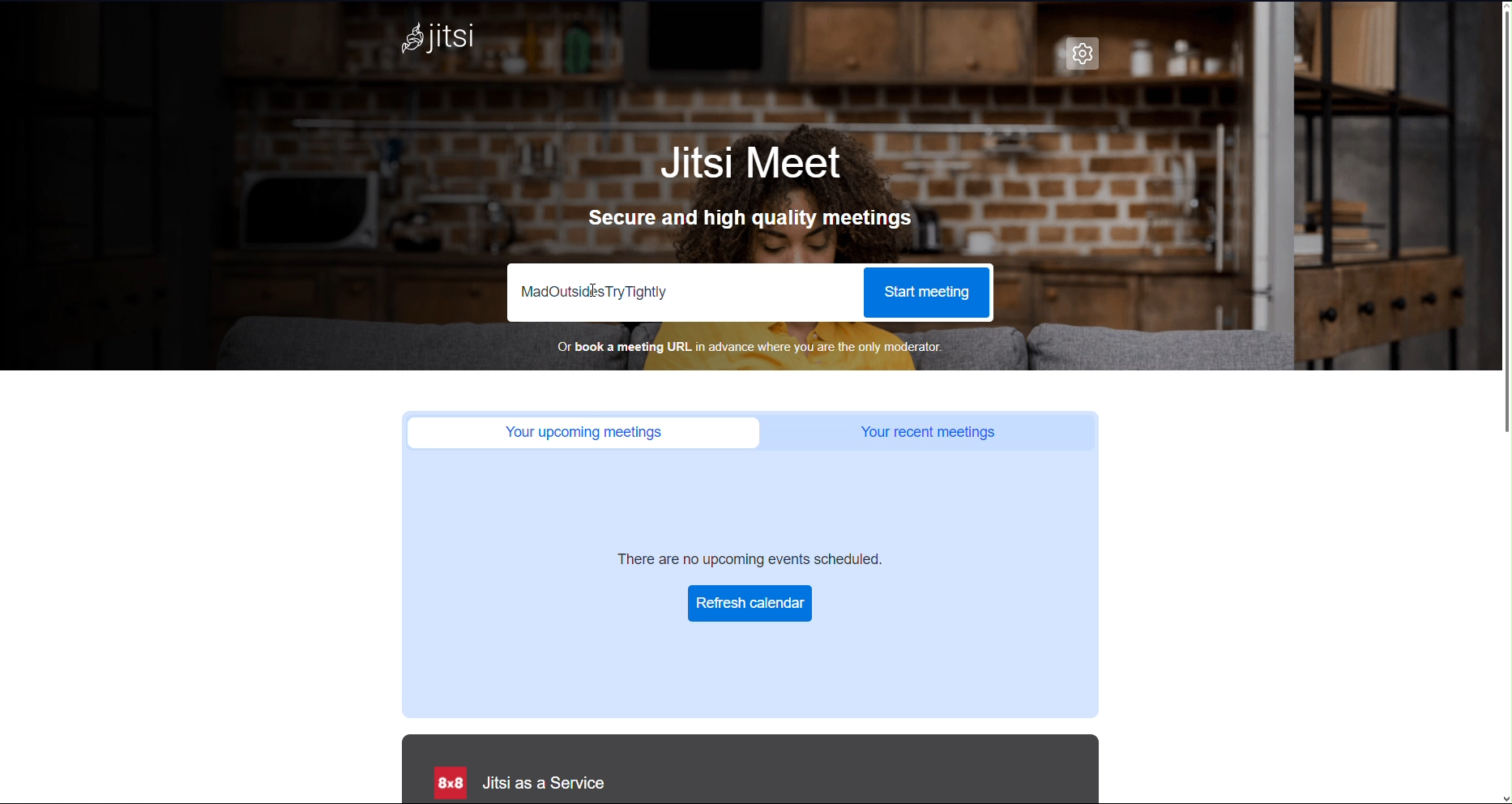 The height and width of the screenshot is (804, 1512). Describe the element at coordinates (747, 165) in the screenshot. I see `Jitsi Meet` at that location.